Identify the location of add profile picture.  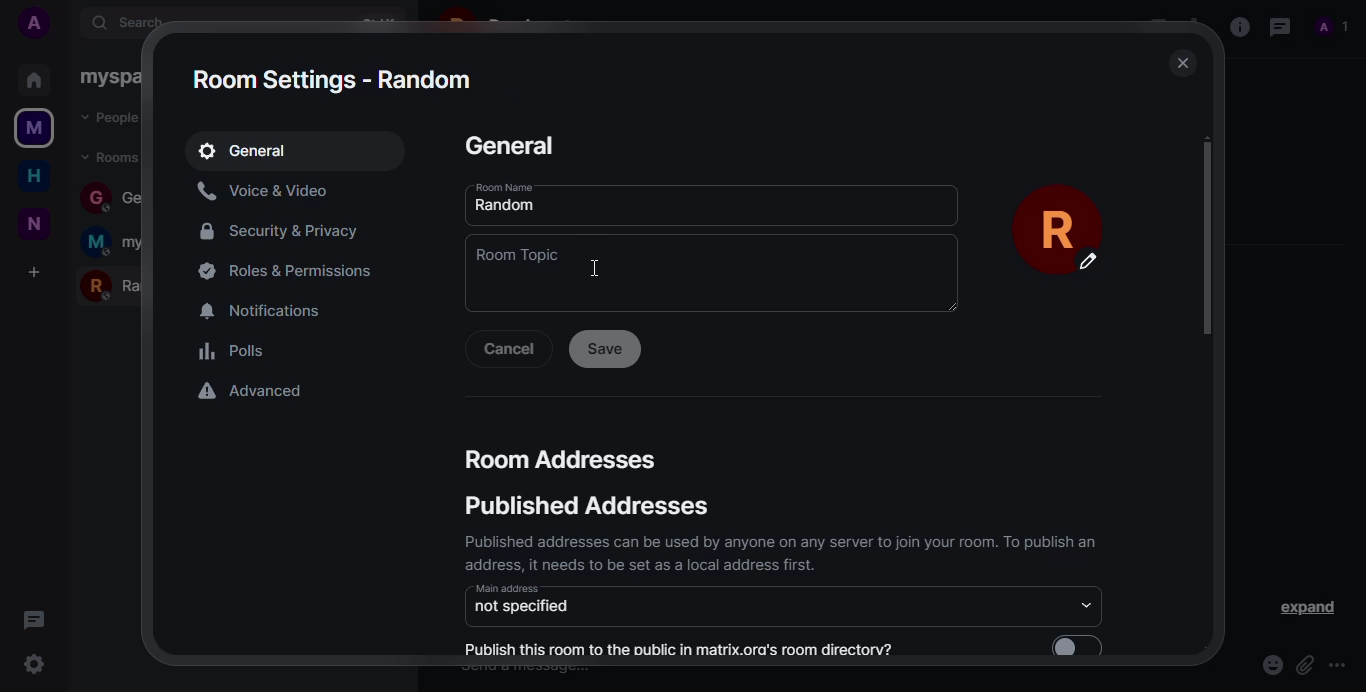
(40, 23).